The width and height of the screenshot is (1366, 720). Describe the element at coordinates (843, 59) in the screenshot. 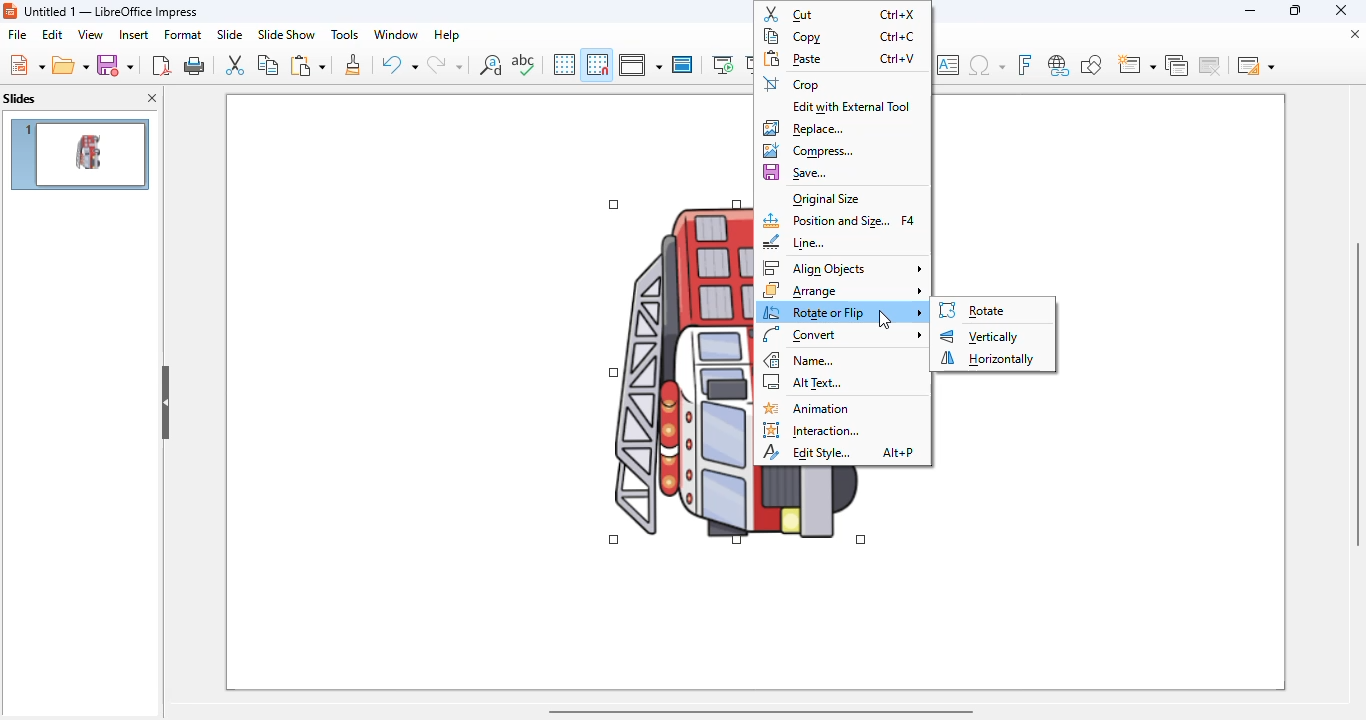

I see `paste` at that location.